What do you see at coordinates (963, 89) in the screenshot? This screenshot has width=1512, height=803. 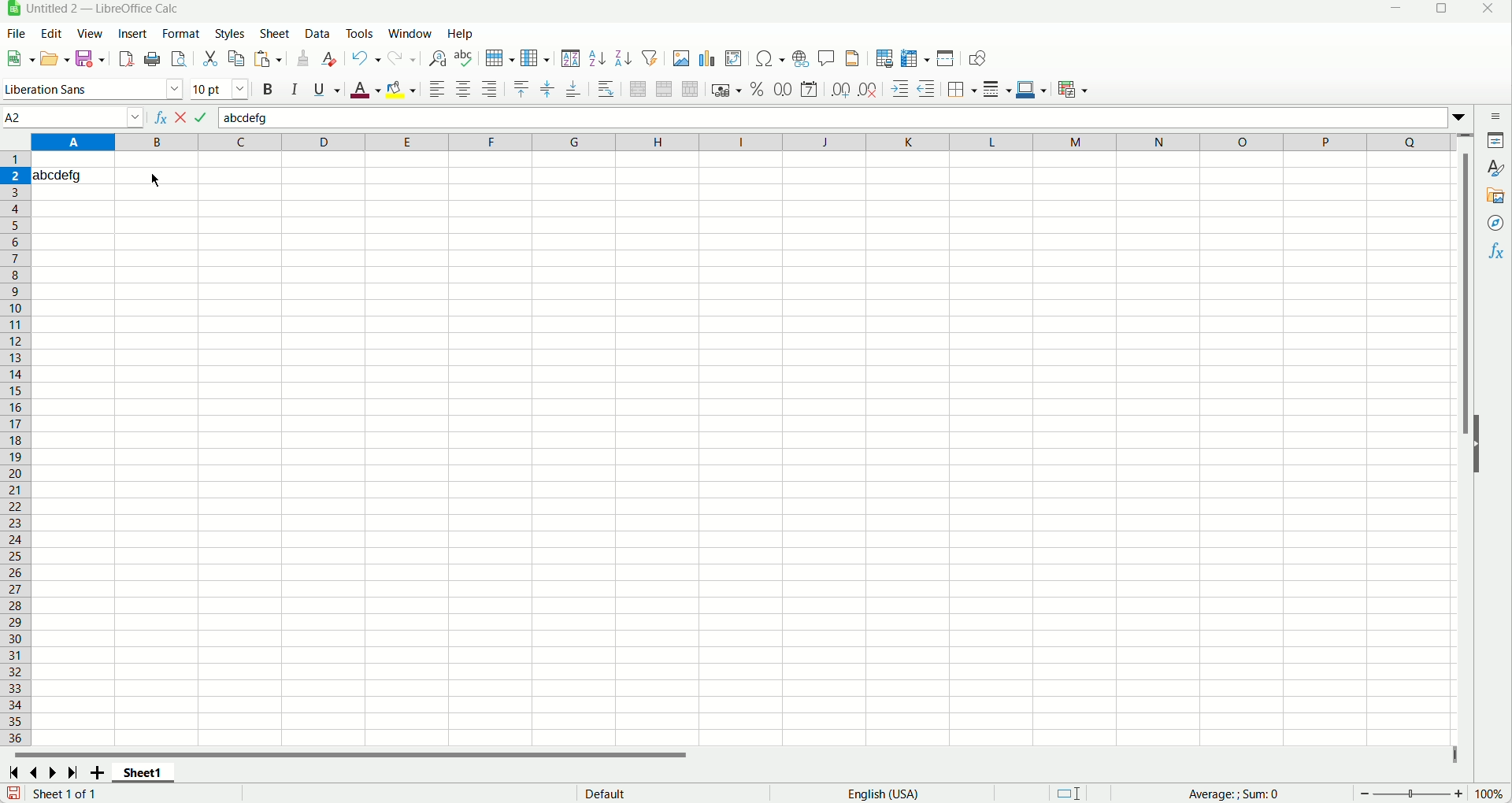 I see `border` at bounding box center [963, 89].